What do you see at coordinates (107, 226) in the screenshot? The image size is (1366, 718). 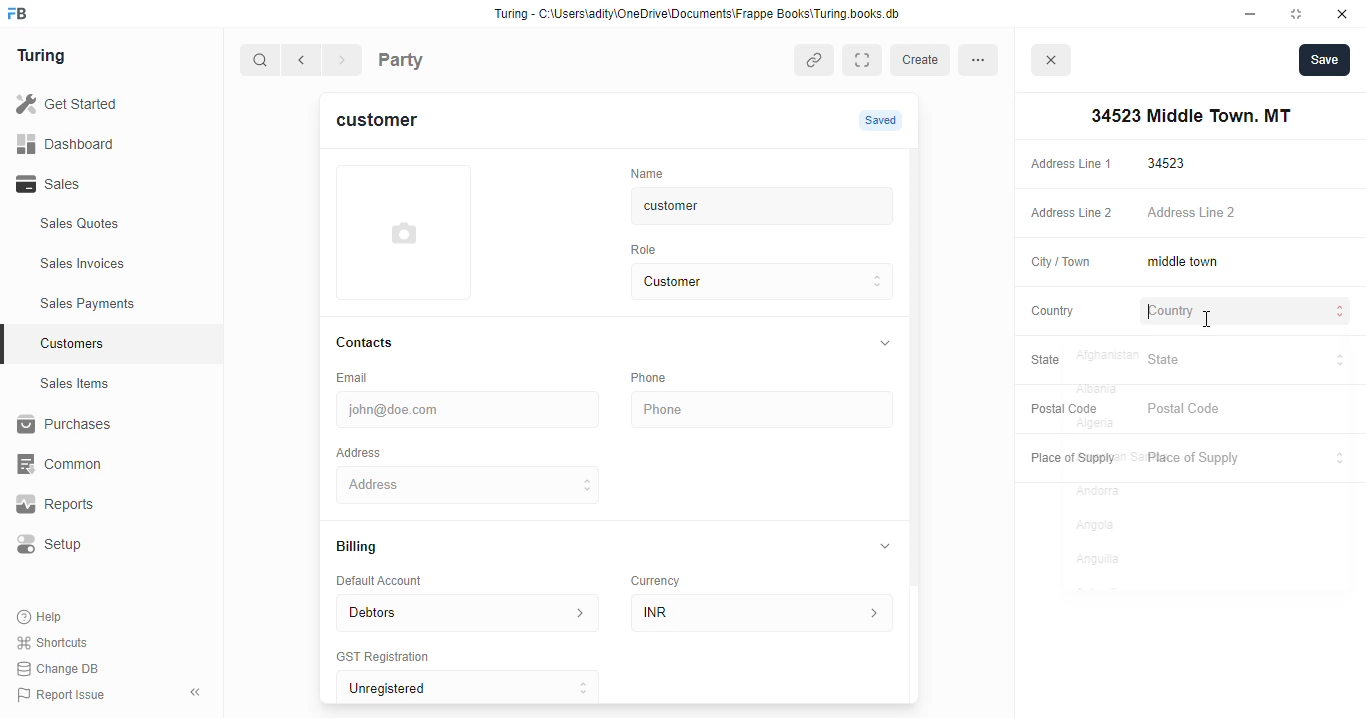 I see `Sales Quotes` at bounding box center [107, 226].